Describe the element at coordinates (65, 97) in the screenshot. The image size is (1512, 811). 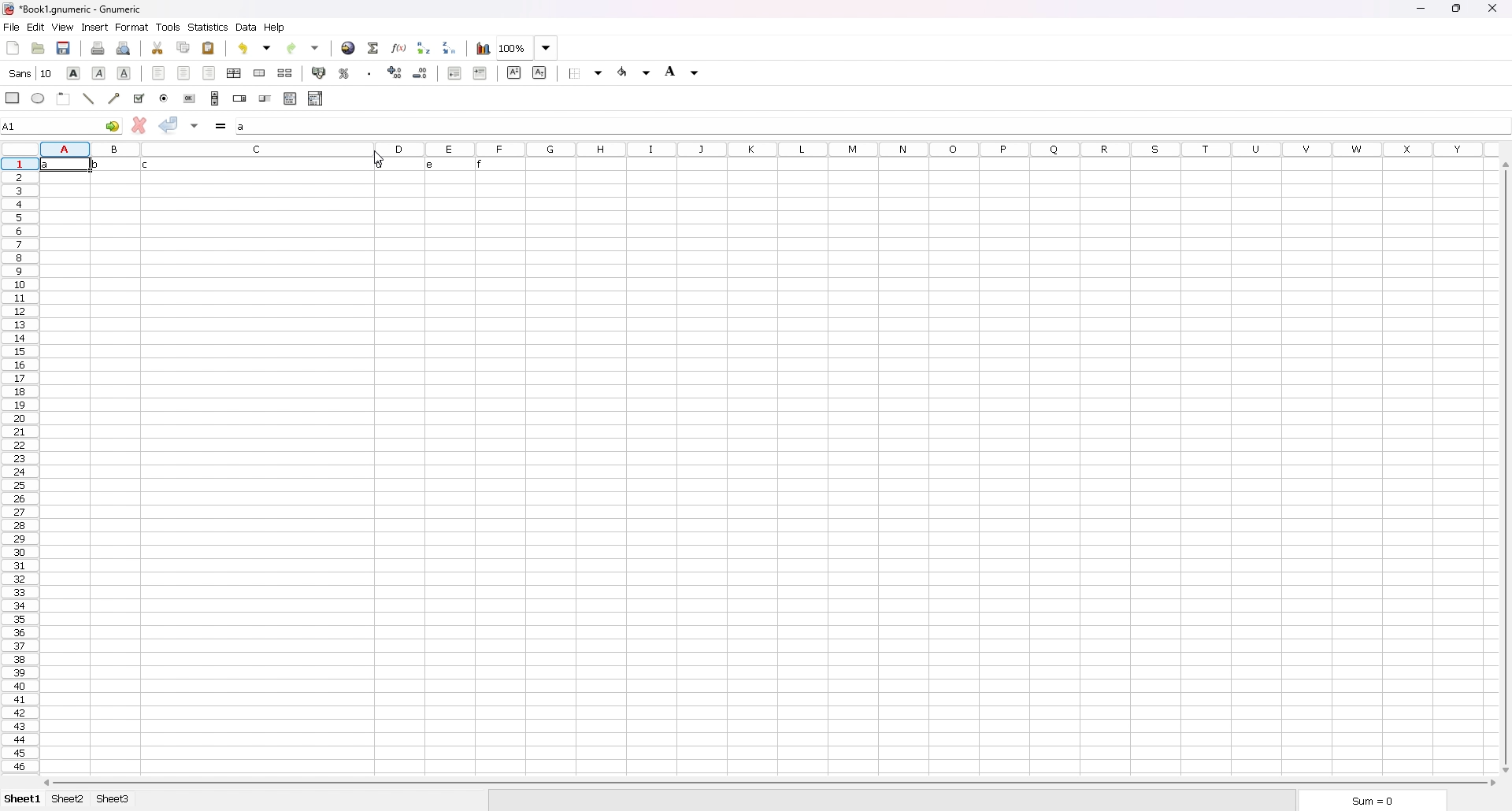
I see `frame` at that location.